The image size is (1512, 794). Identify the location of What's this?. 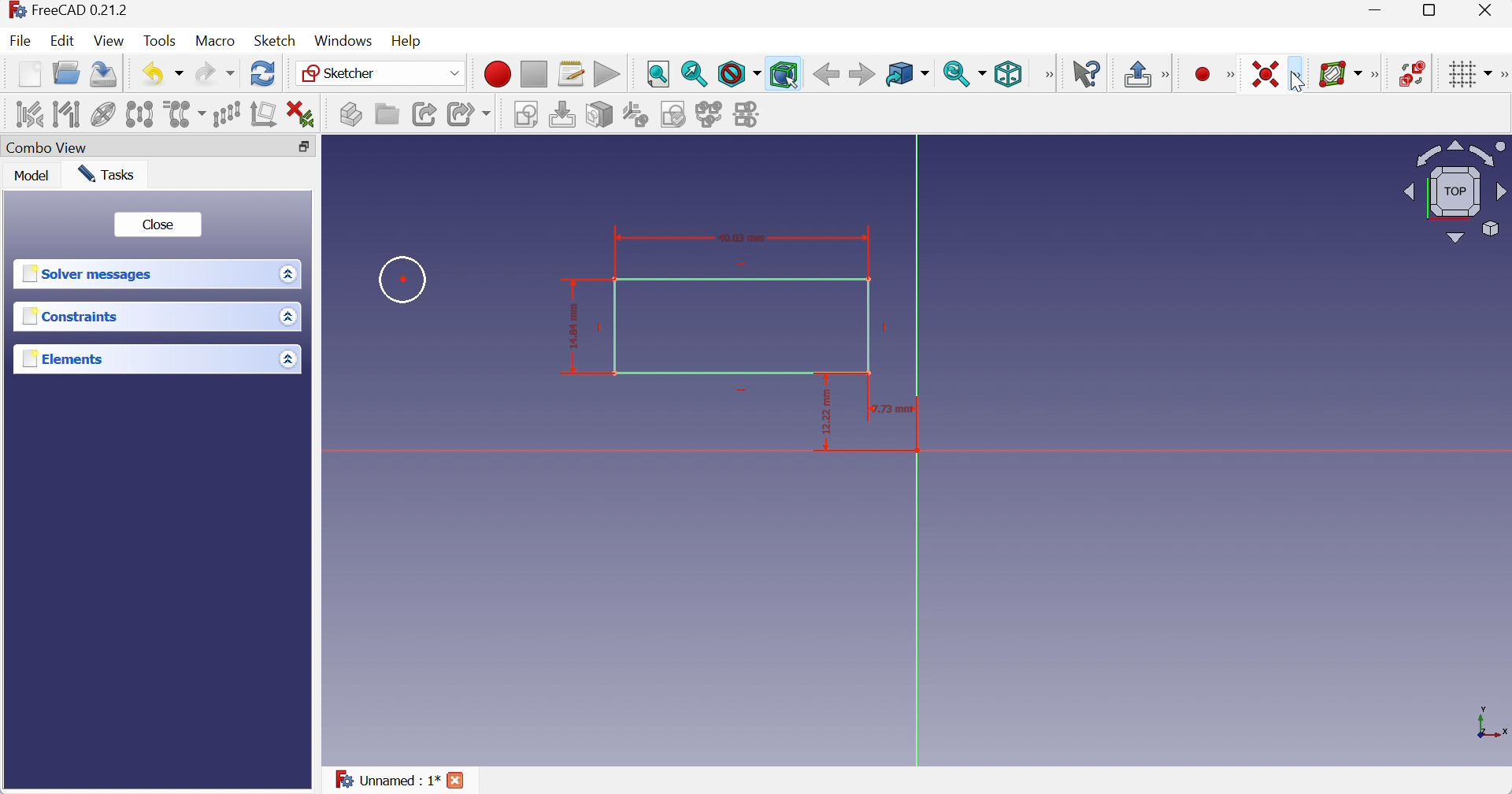
(1087, 73).